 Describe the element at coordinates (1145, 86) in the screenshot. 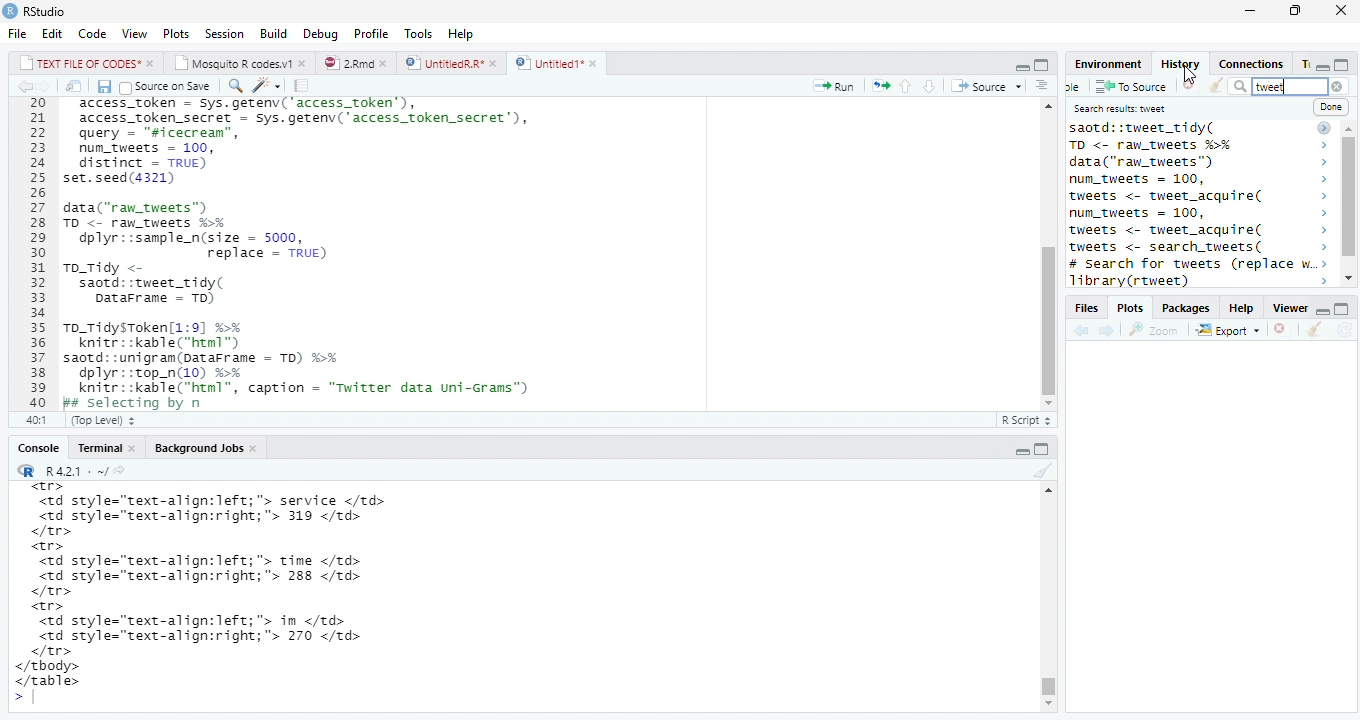

I see `To source` at that location.